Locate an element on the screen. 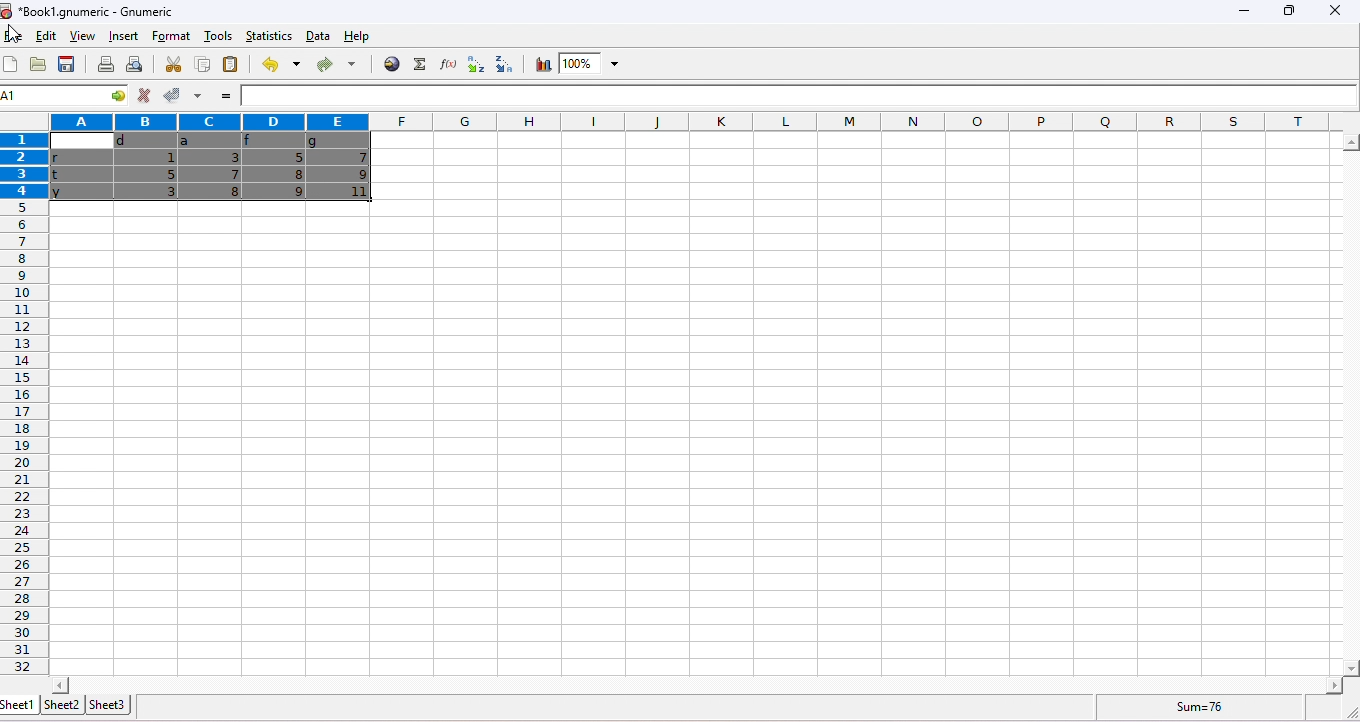 Image resolution: width=1360 pixels, height=722 pixels. title is located at coordinates (90, 11).